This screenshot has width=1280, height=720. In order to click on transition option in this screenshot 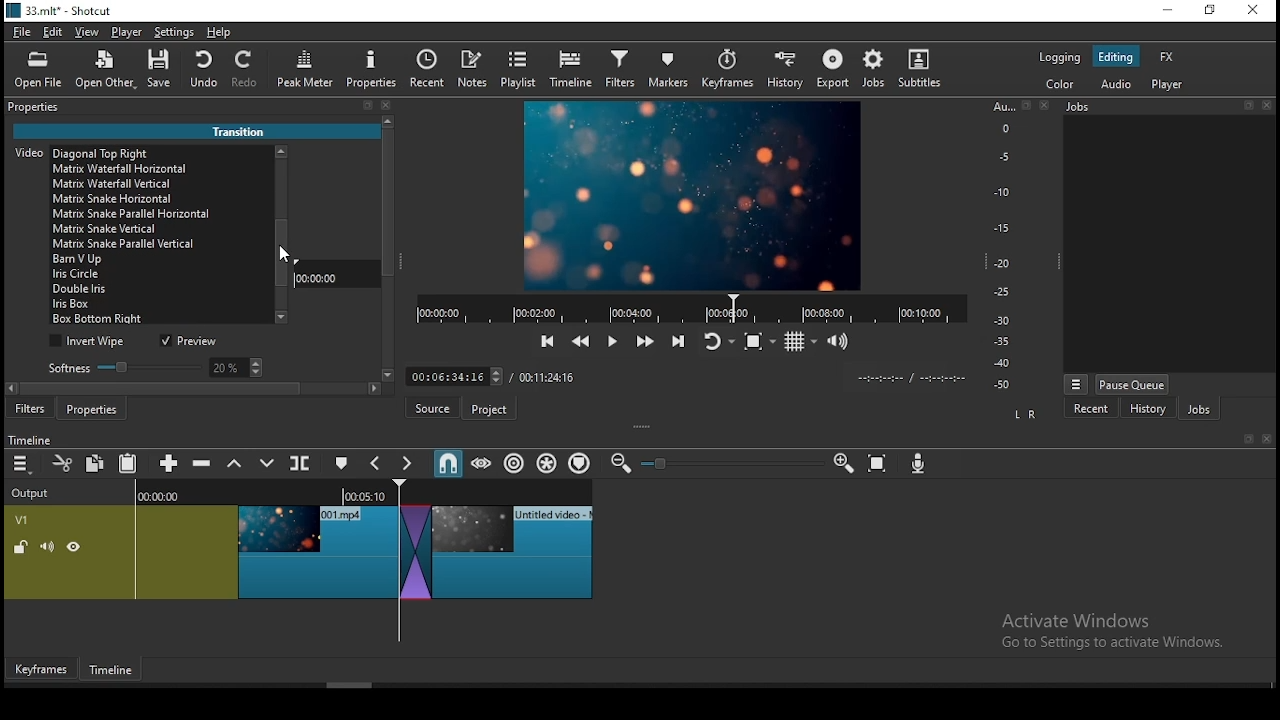, I will do `click(159, 306)`.